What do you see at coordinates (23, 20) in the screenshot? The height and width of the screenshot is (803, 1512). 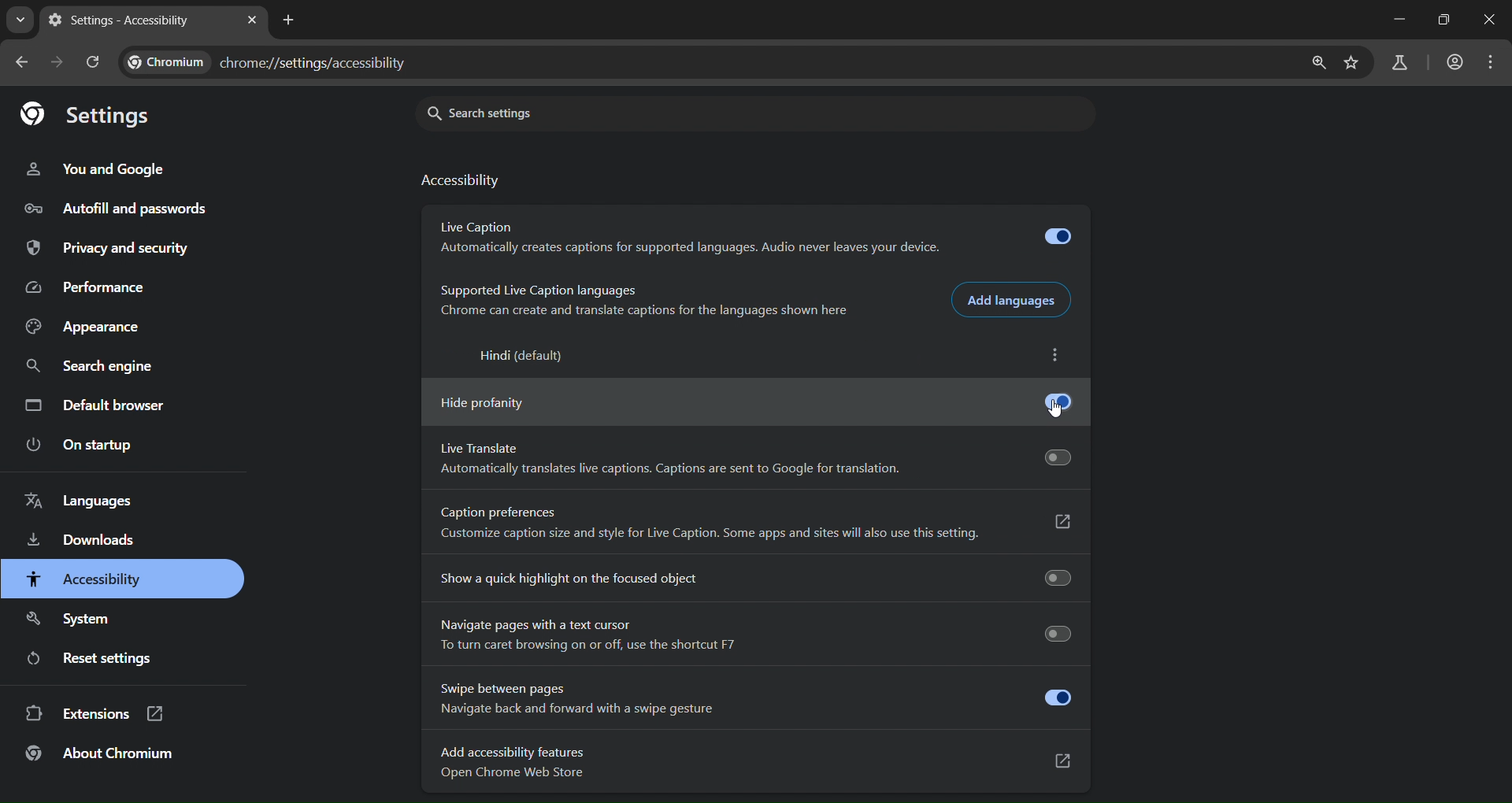 I see `search tabs` at bounding box center [23, 20].